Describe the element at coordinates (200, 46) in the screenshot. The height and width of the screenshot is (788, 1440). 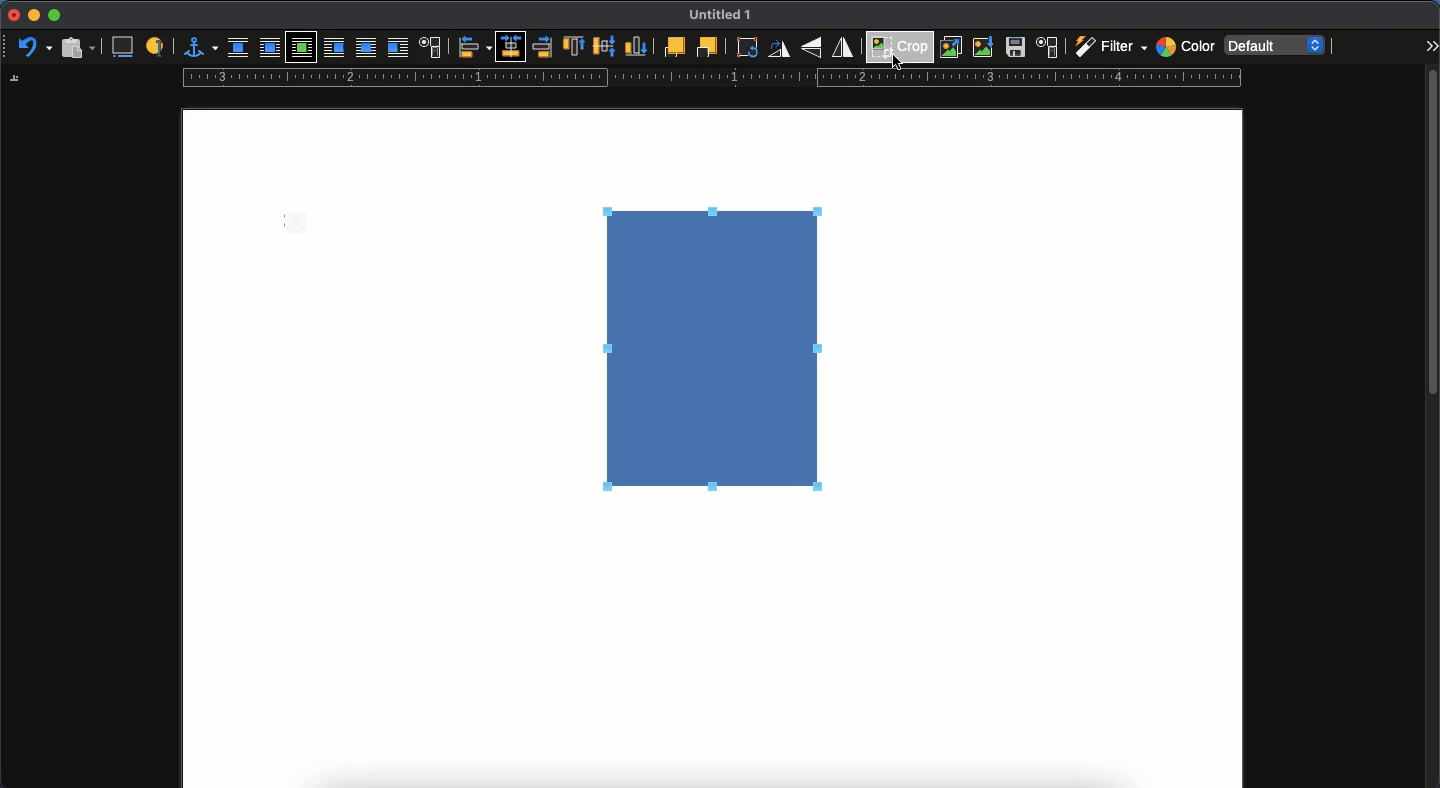
I see `anchor for object` at that location.